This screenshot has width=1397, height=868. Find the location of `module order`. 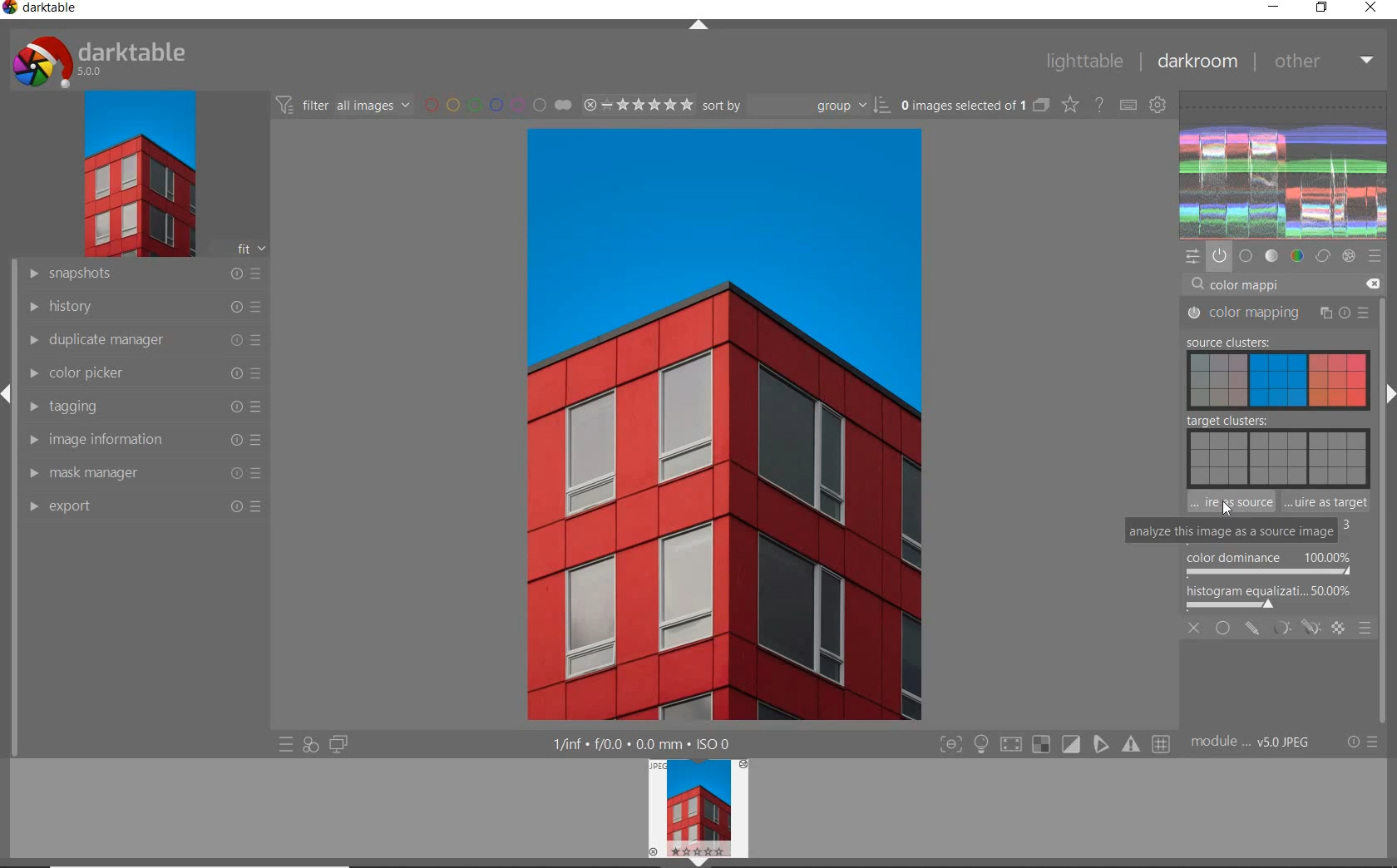

module order is located at coordinates (1252, 742).